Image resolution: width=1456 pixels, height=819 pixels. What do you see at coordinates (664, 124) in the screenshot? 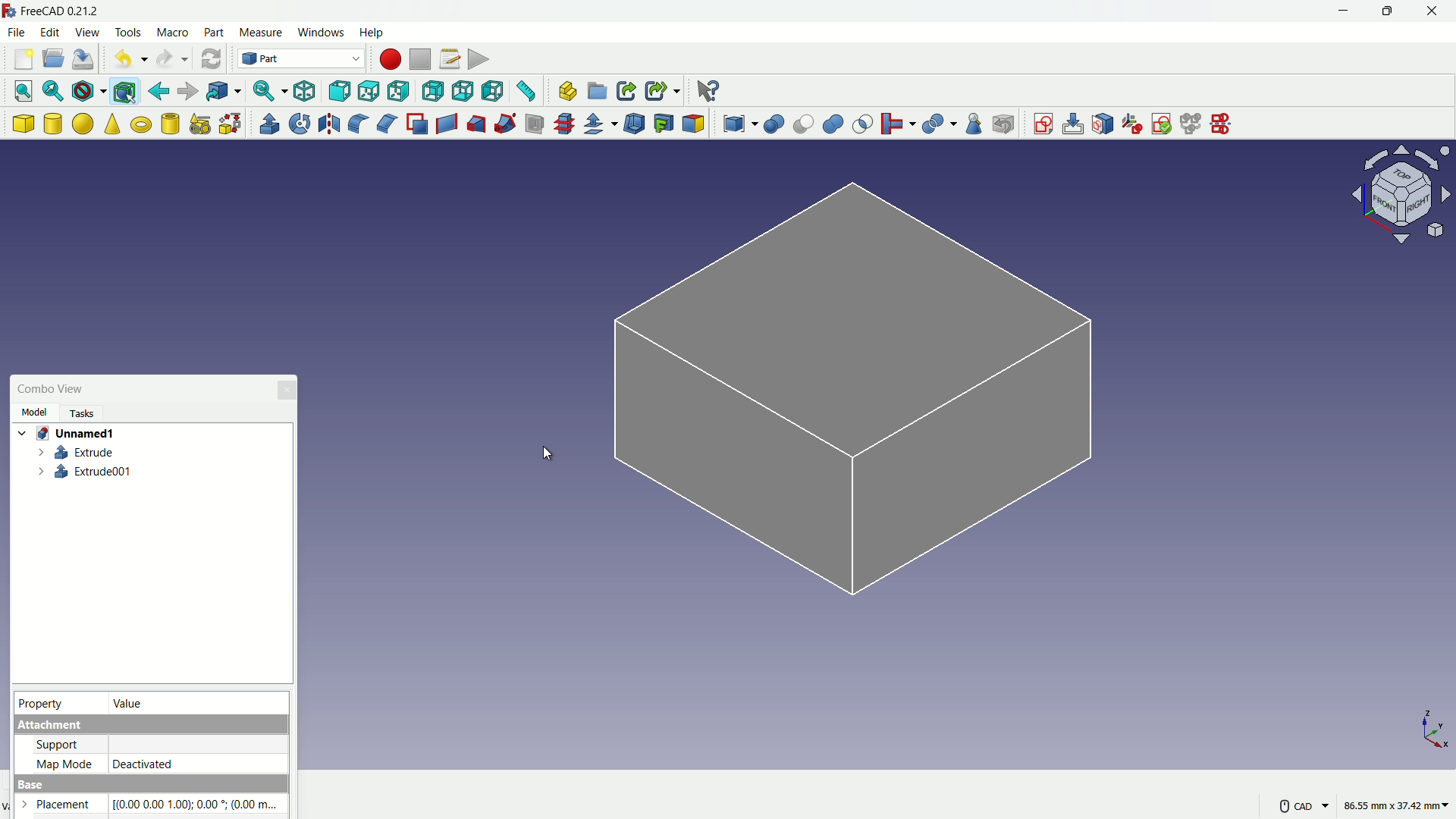
I see `projection` at bounding box center [664, 124].